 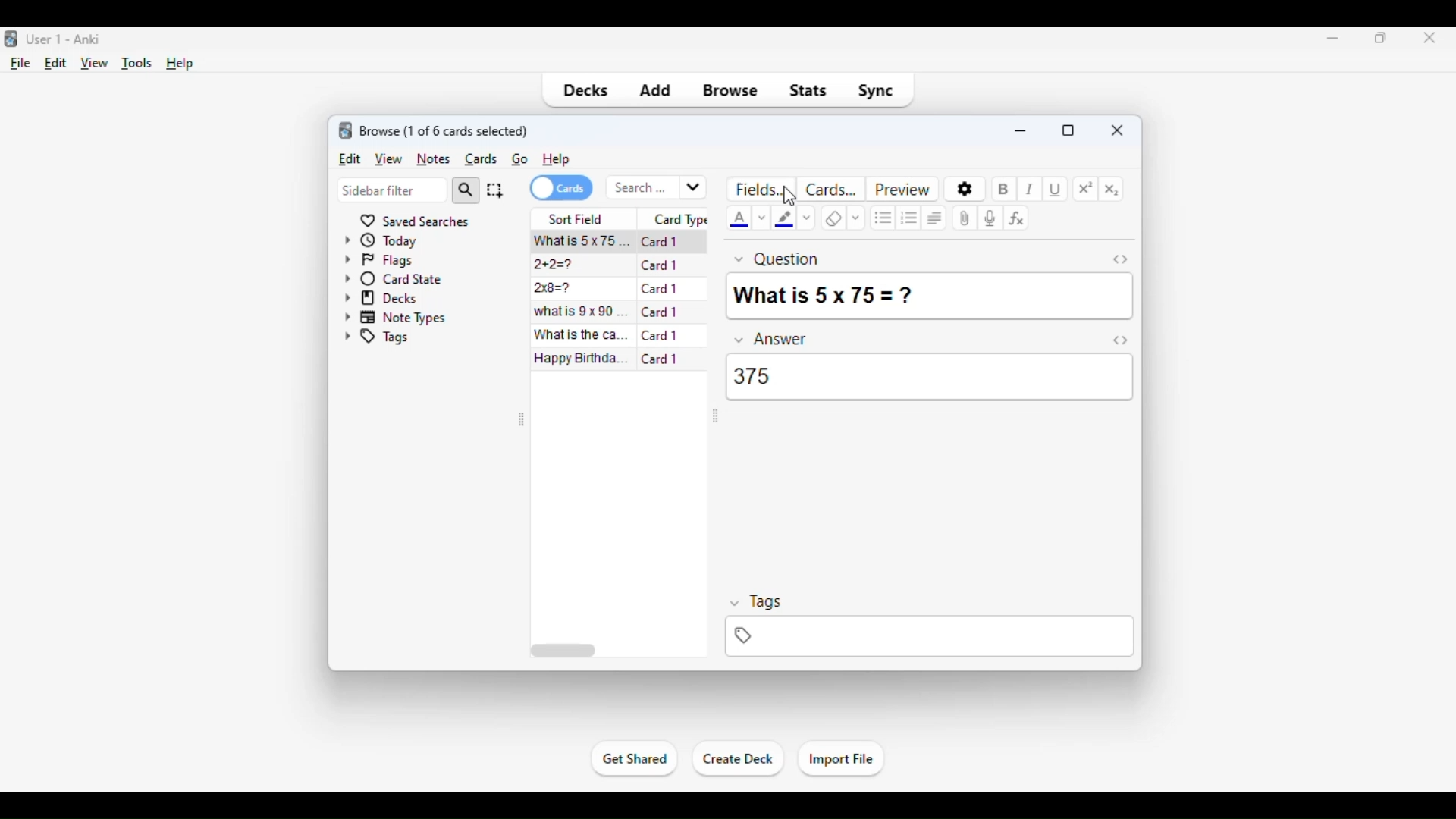 I want to click on ordered list, so click(x=910, y=218).